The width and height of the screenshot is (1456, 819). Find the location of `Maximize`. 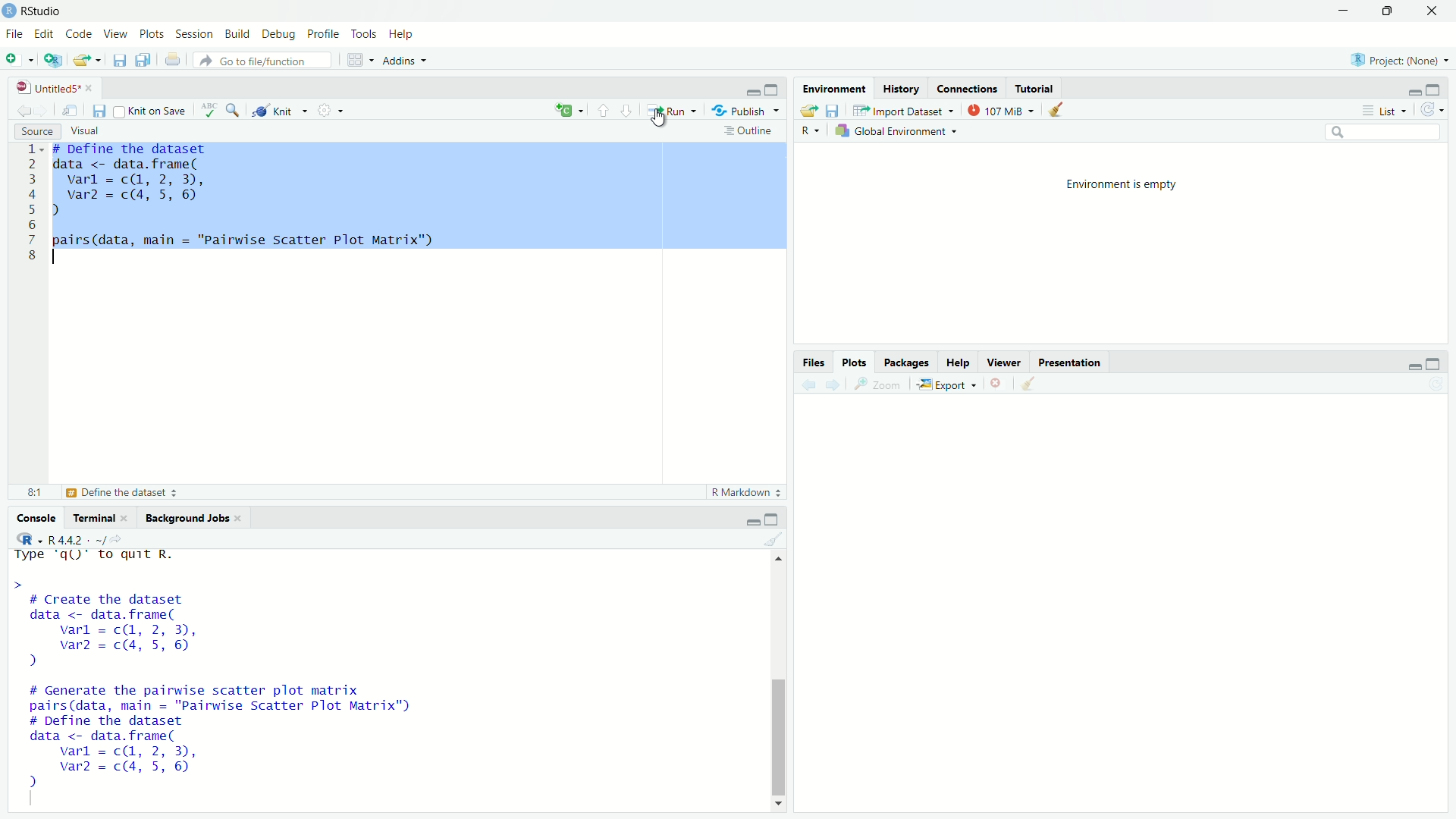

Maximize is located at coordinates (1436, 362).